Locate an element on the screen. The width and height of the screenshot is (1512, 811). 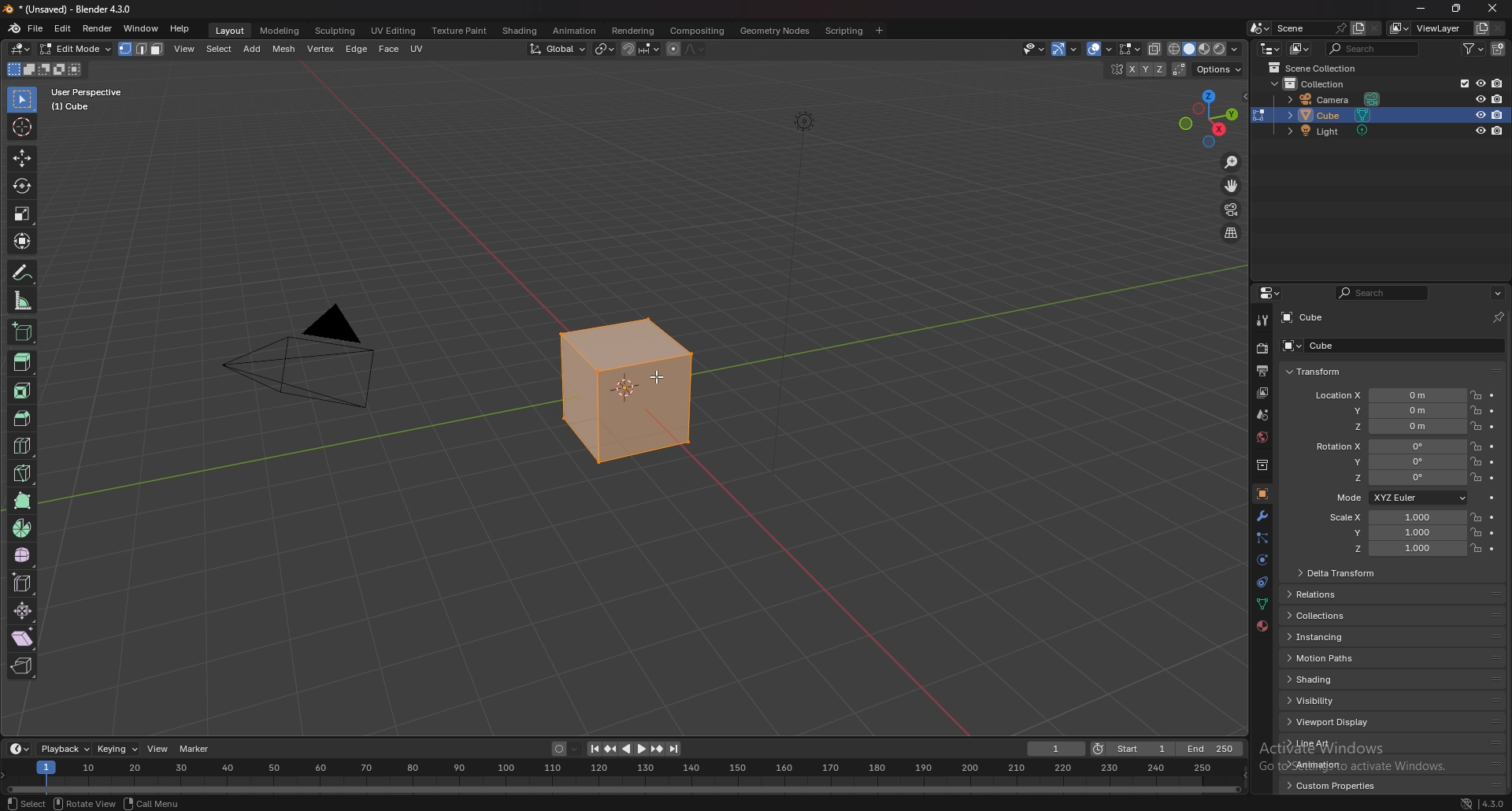
uv editing is located at coordinates (395, 31).